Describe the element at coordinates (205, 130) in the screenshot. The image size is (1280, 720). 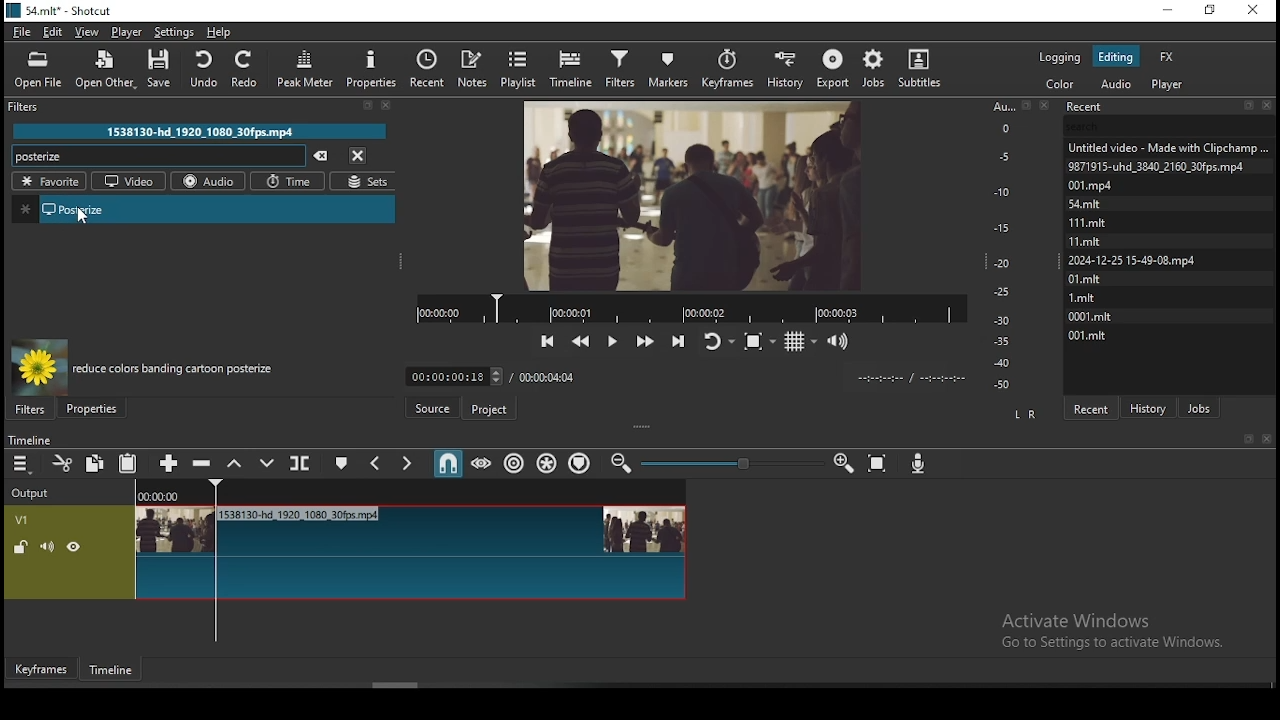
I see `1538130-hd_1920_1080_30fps.mp4` at that location.